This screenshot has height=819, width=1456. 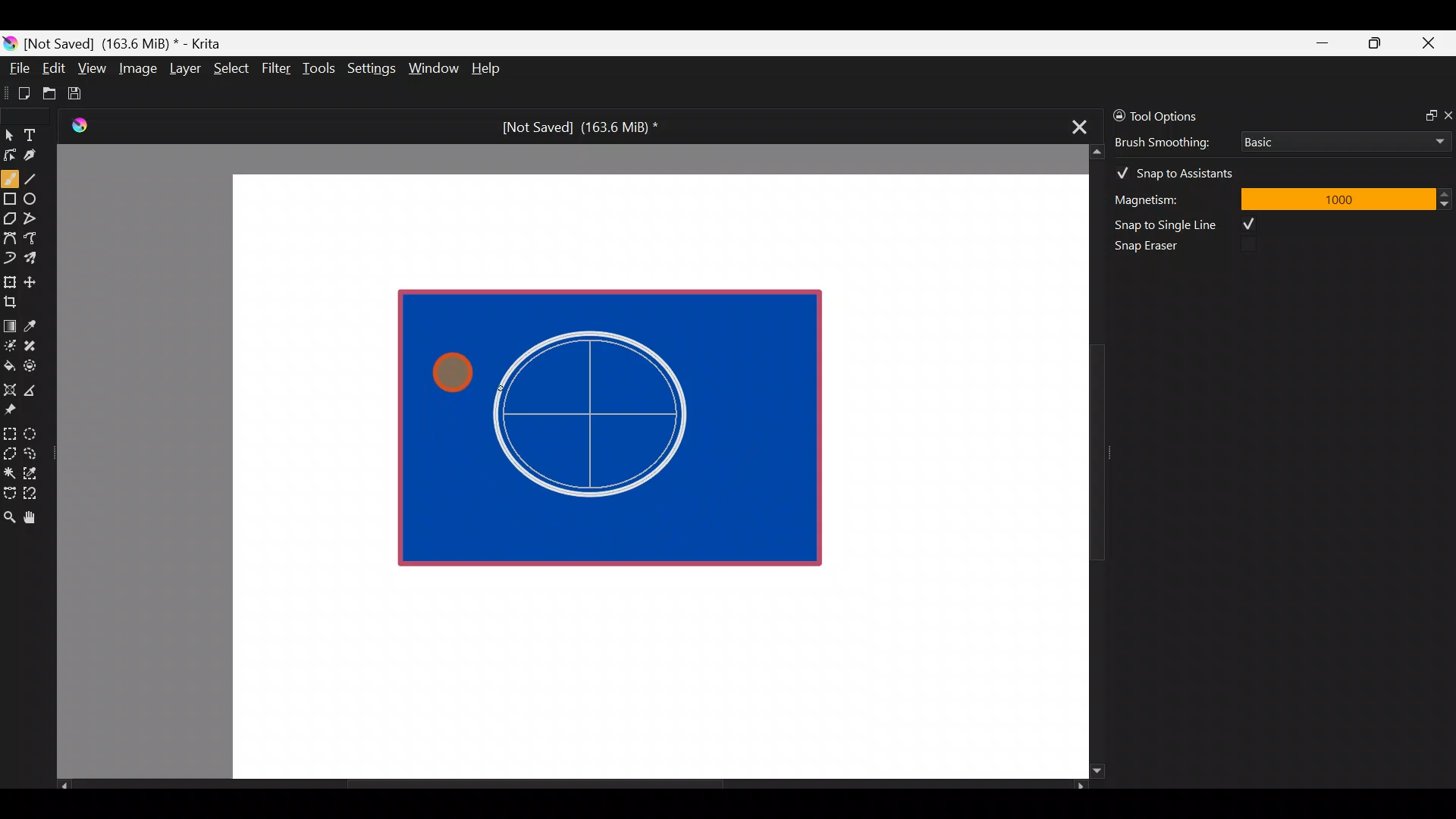 What do you see at coordinates (373, 71) in the screenshot?
I see `Settings` at bounding box center [373, 71].